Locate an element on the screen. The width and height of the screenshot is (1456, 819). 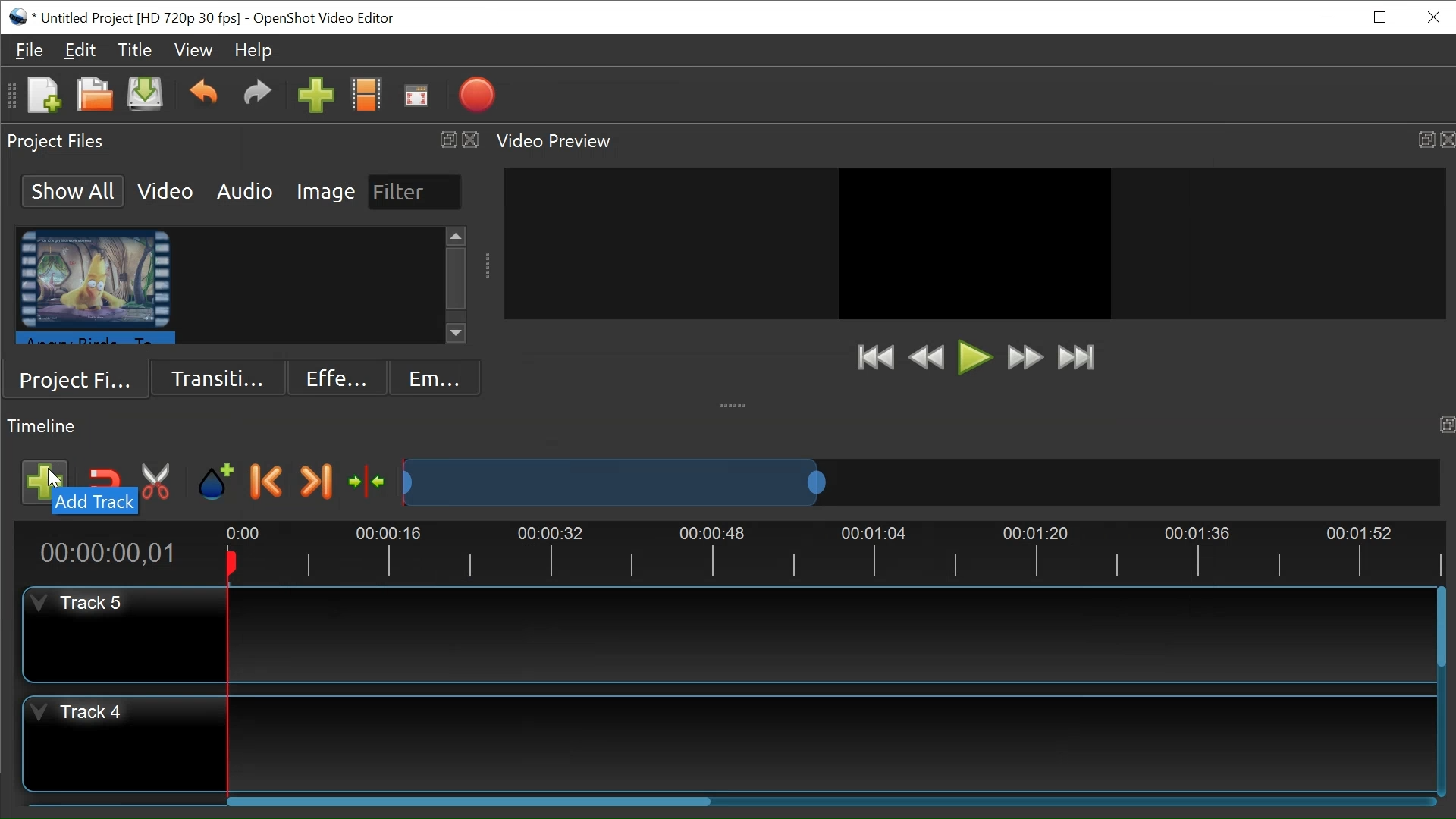
Help is located at coordinates (253, 51).